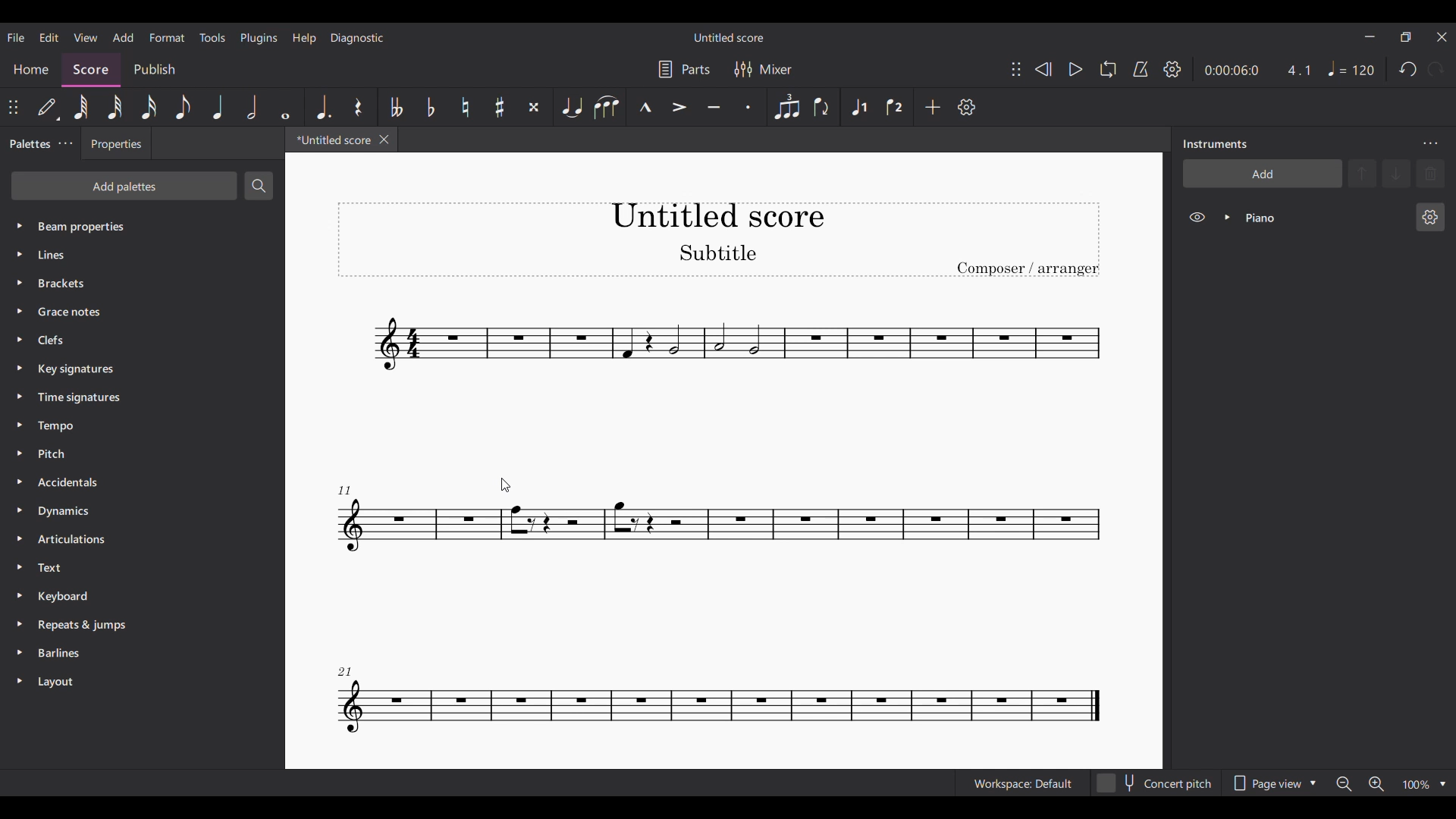 The image size is (1456, 819). I want to click on Play, so click(1075, 69).